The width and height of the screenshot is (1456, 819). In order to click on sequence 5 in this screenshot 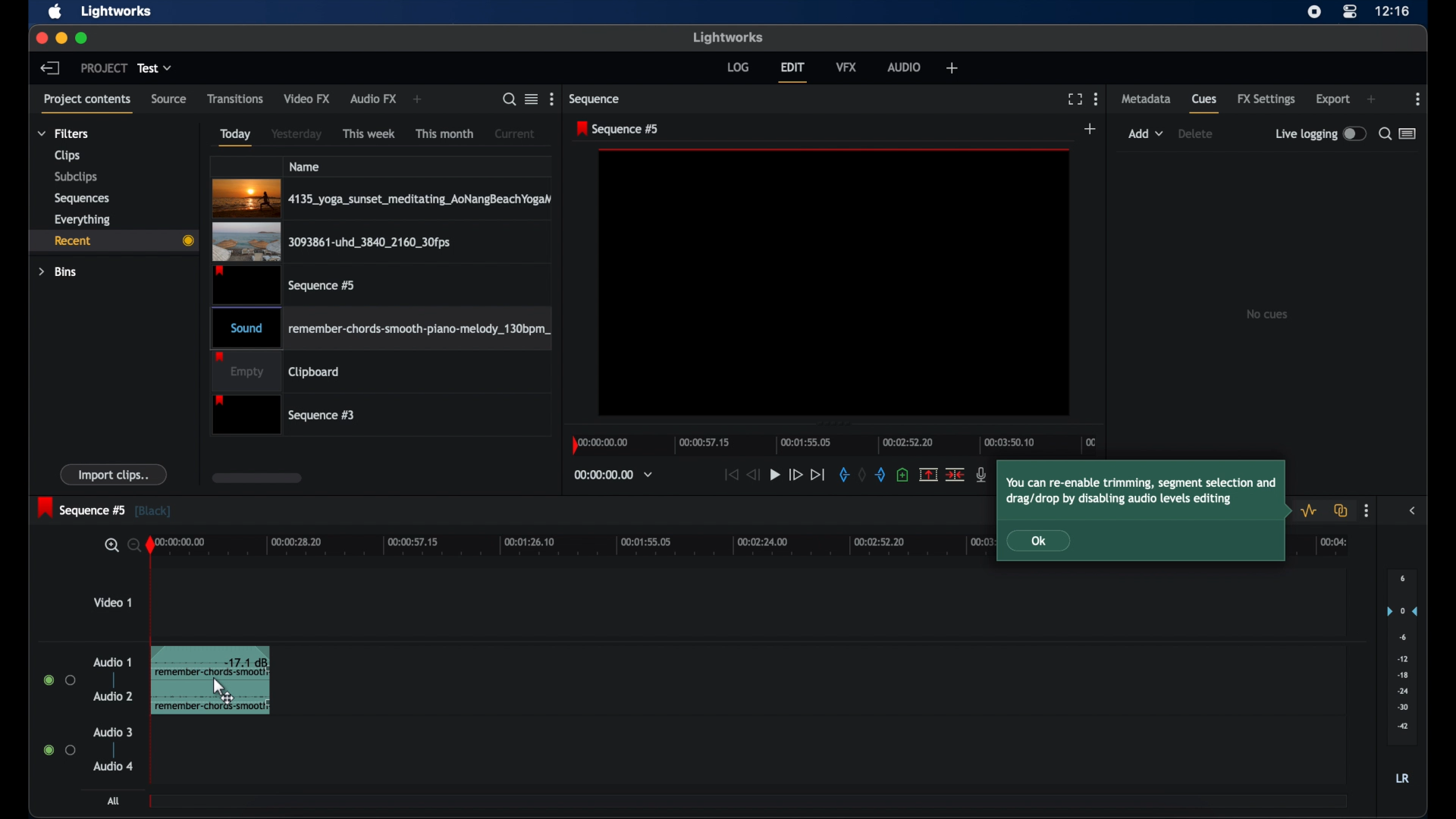, I will do `click(104, 508)`.